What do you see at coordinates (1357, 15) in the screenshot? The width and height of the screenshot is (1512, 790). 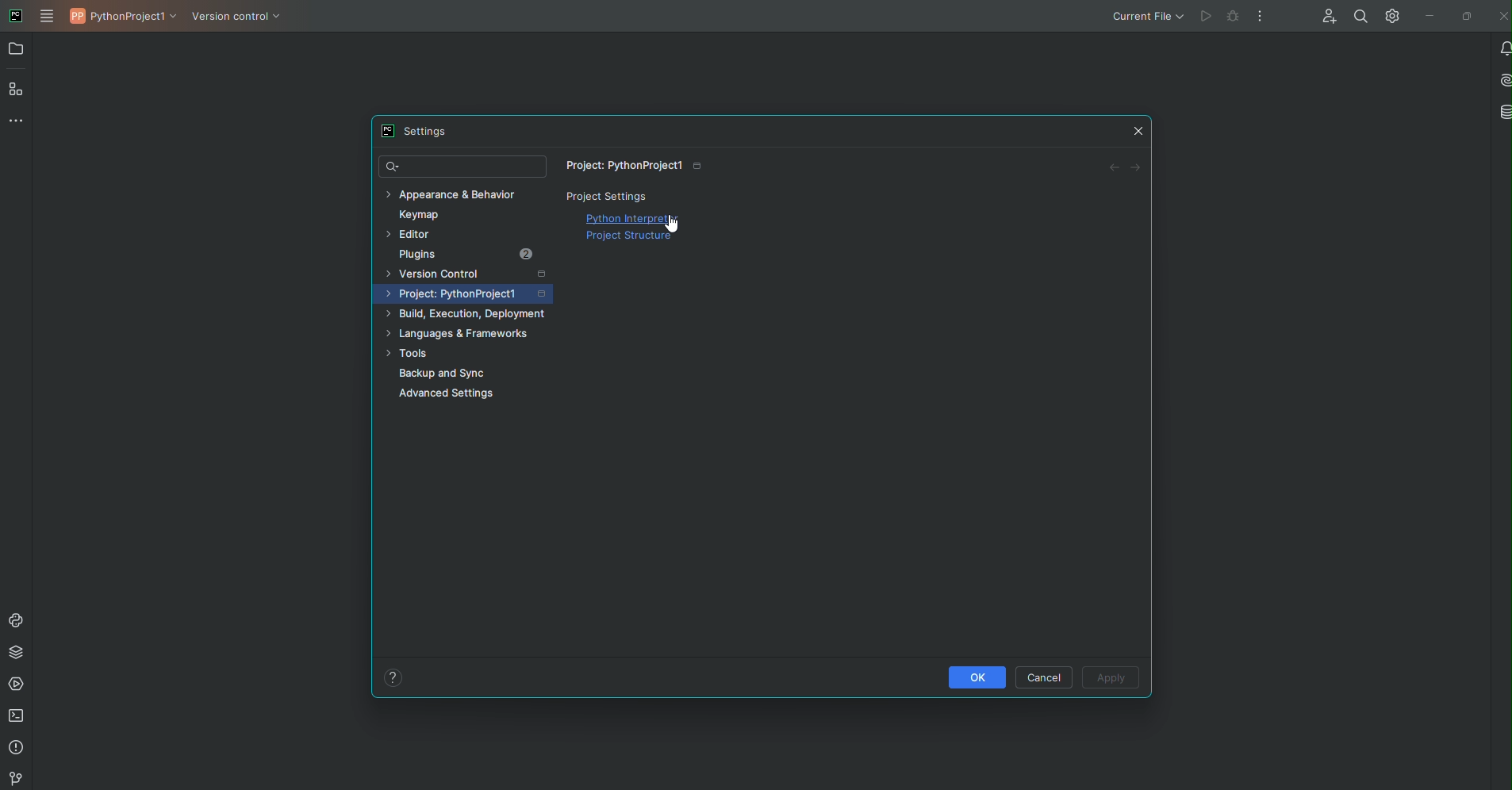 I see `Find` at bounding box center [1357, 15].